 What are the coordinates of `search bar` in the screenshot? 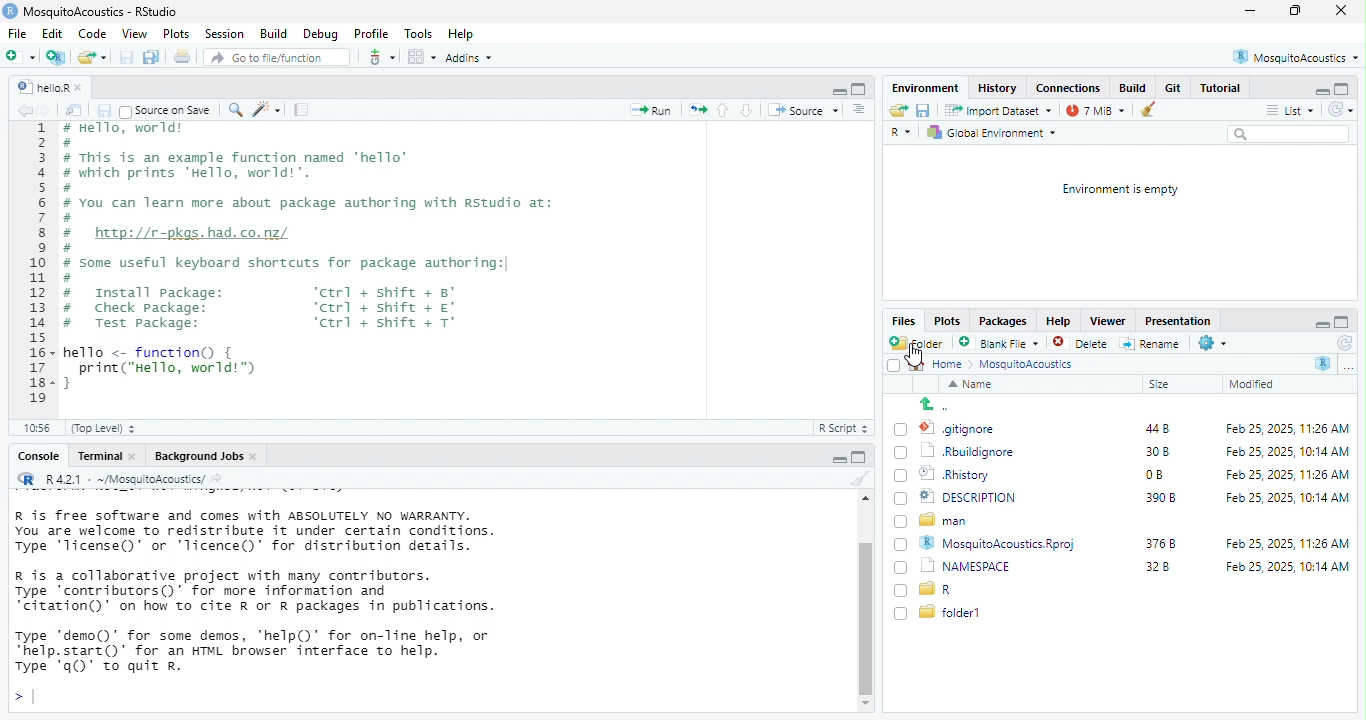 It's located at (1290, 136).